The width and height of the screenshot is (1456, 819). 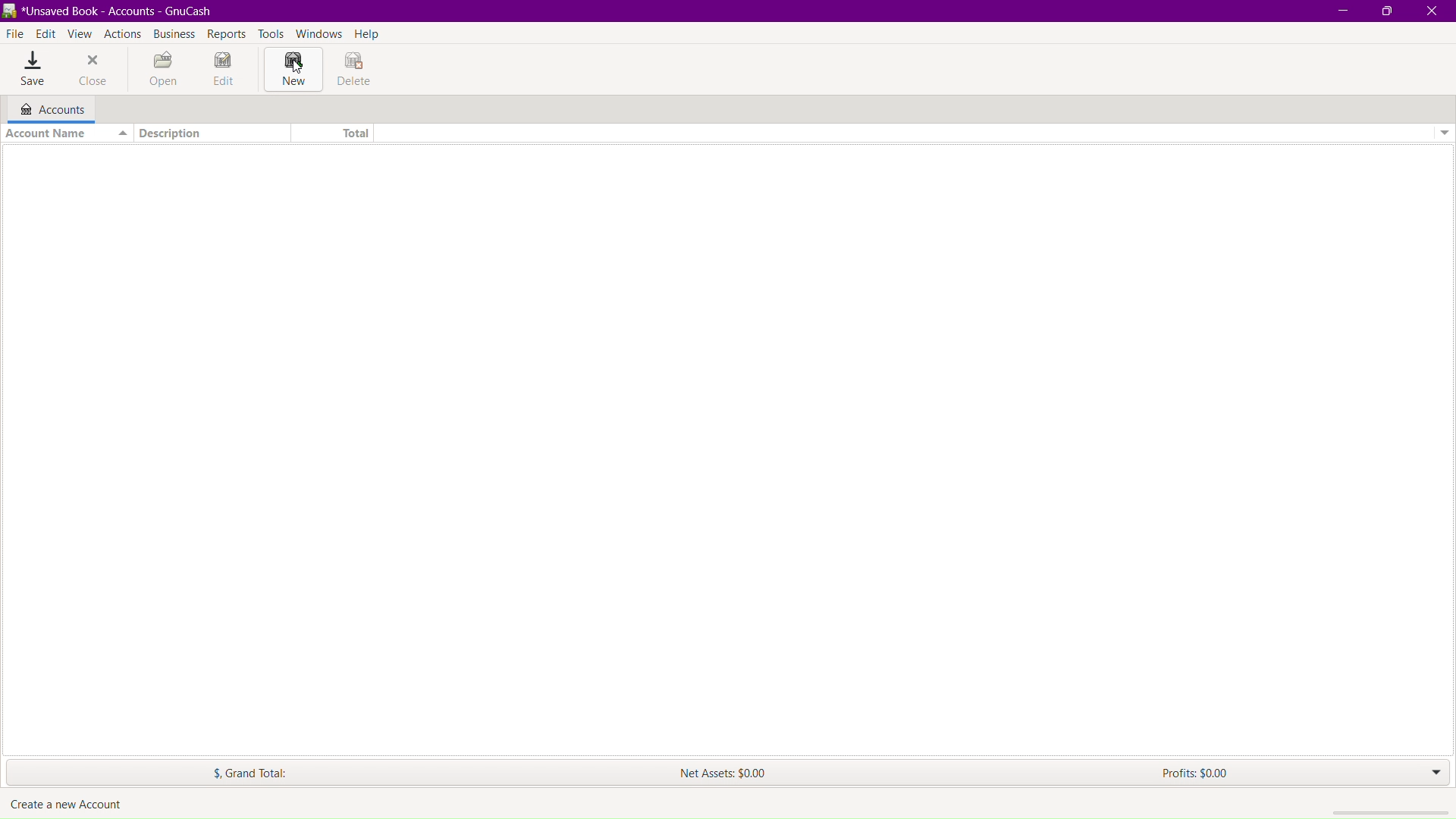 What do you see at coordinates (113, 10) in the screenshot?
I see `BR *Unsaved Book - Accounts - GnuCash` at bounding box center [113, 10].